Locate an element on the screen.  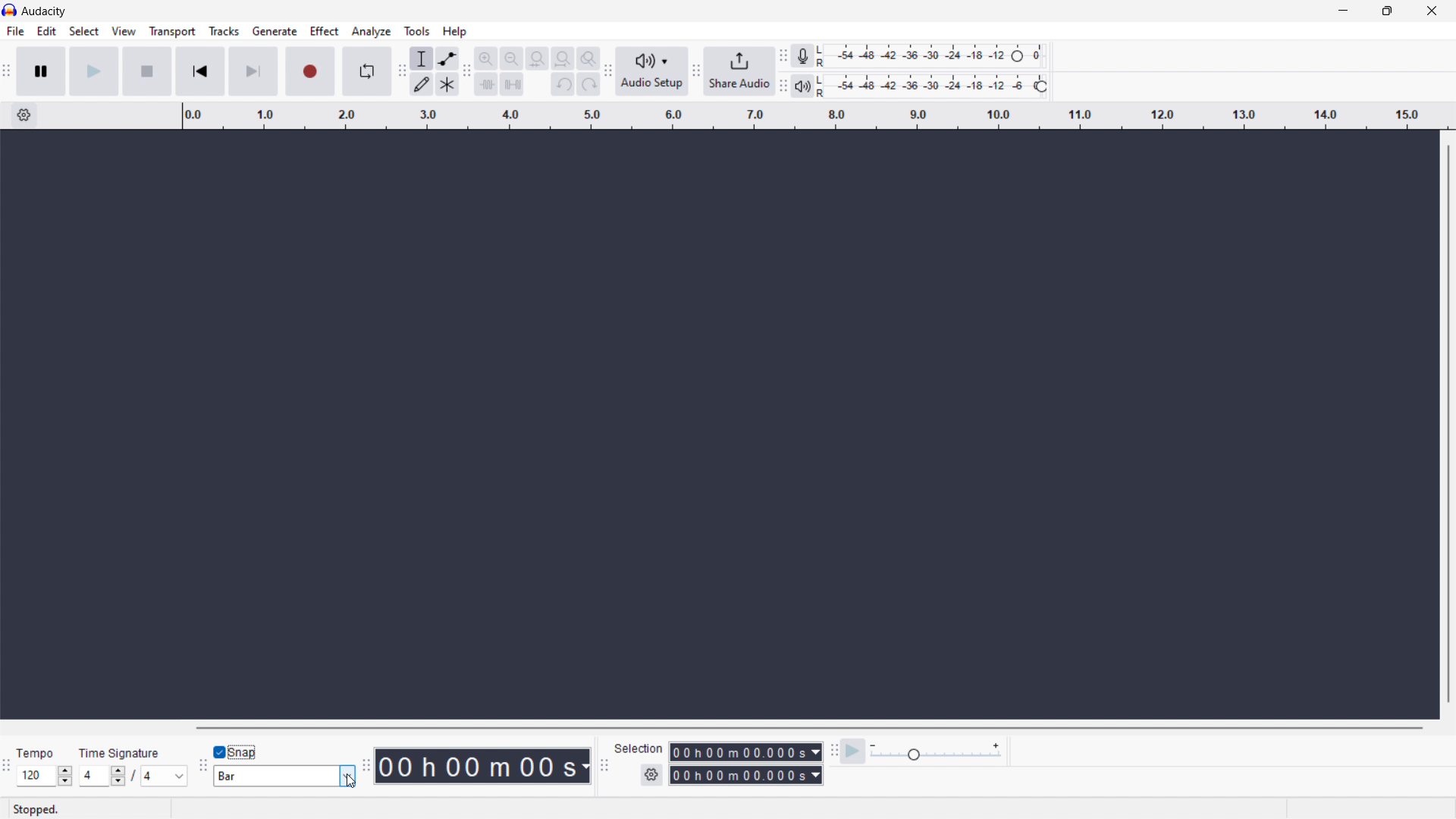
playback meter is located at coordinates (935, 752).